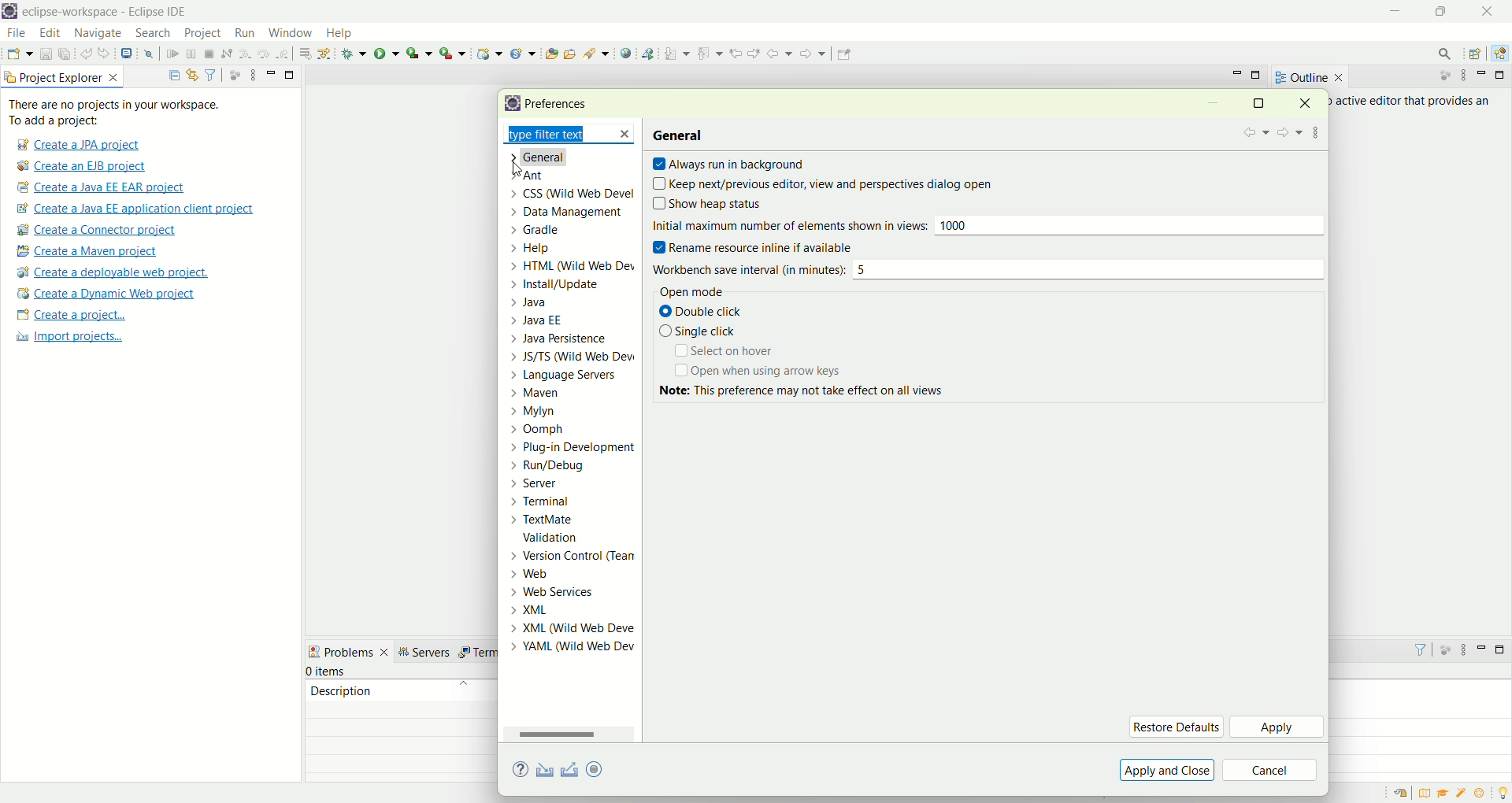 This screenshot has height=803, width=1512. Describe the element at coordinates (1309, 77) in the screenshot. I see `outline` at that location.